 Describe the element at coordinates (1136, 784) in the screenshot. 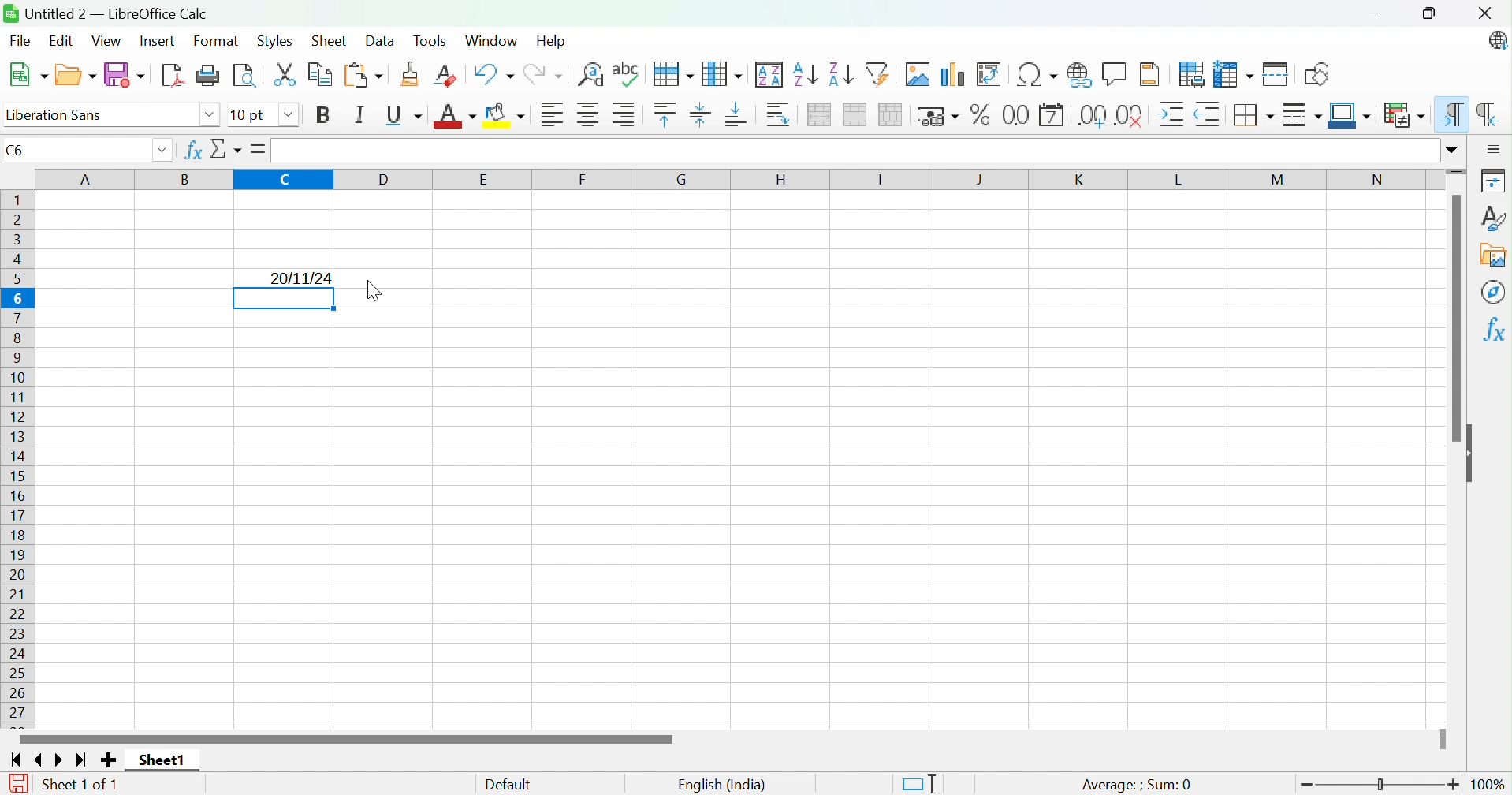

I see `Average: ; Sum:0` at that location.